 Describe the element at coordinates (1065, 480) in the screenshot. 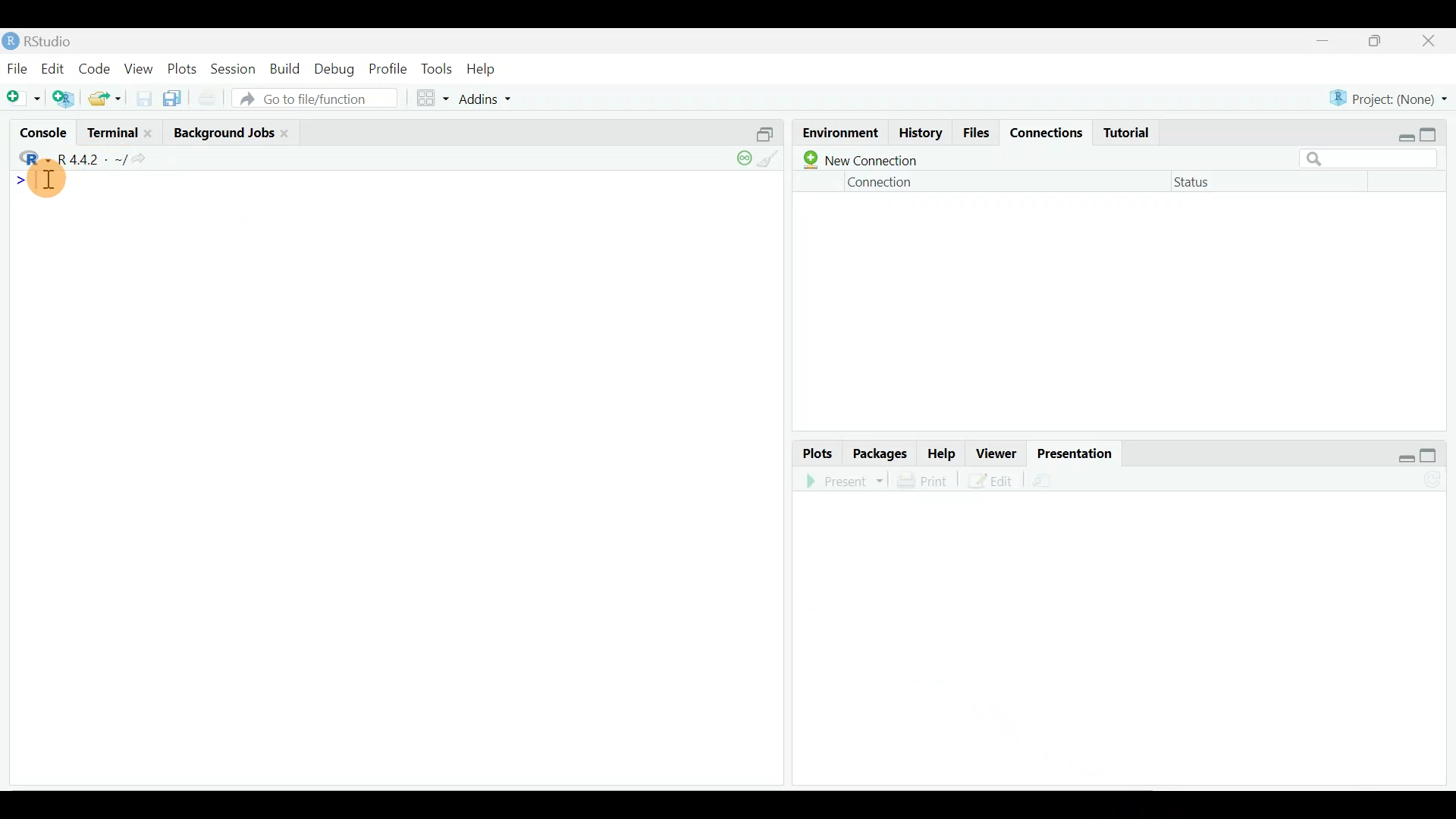

I see `Present in an external web browser` at that location.